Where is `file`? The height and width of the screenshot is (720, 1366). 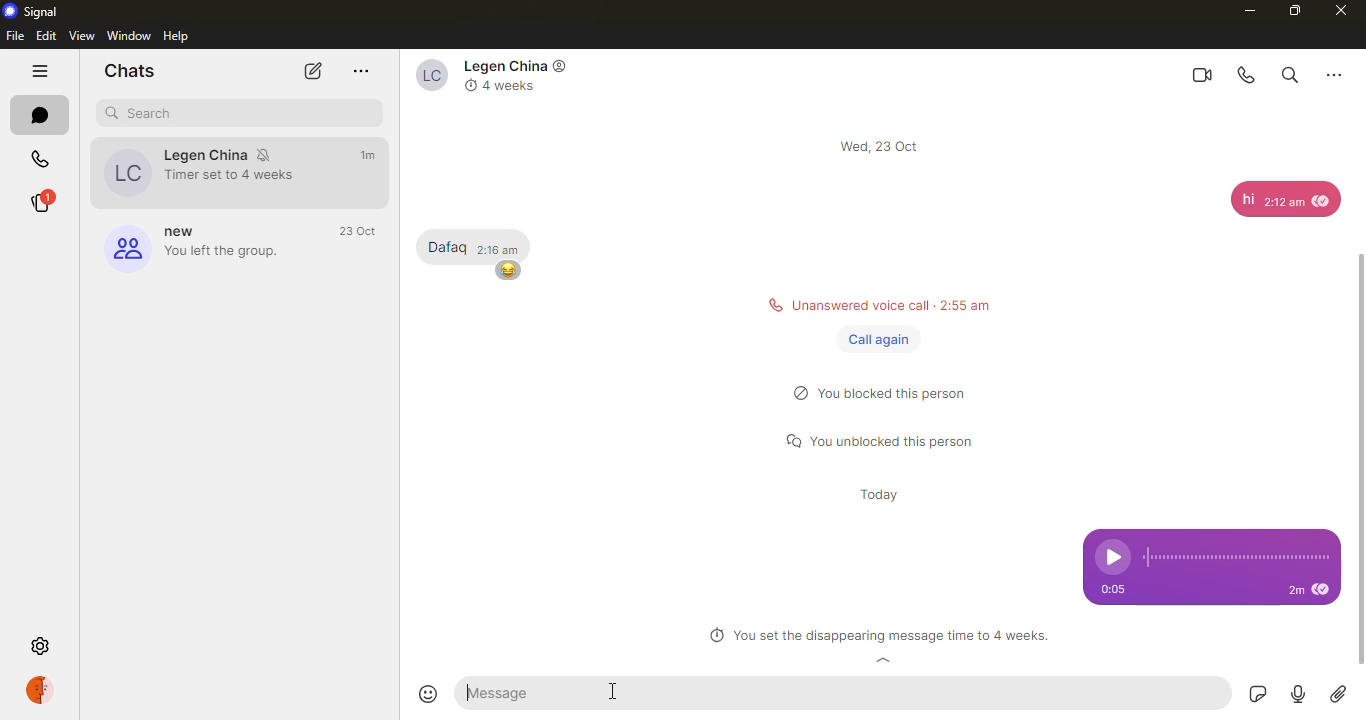 file is located at coordinates (15, 36).